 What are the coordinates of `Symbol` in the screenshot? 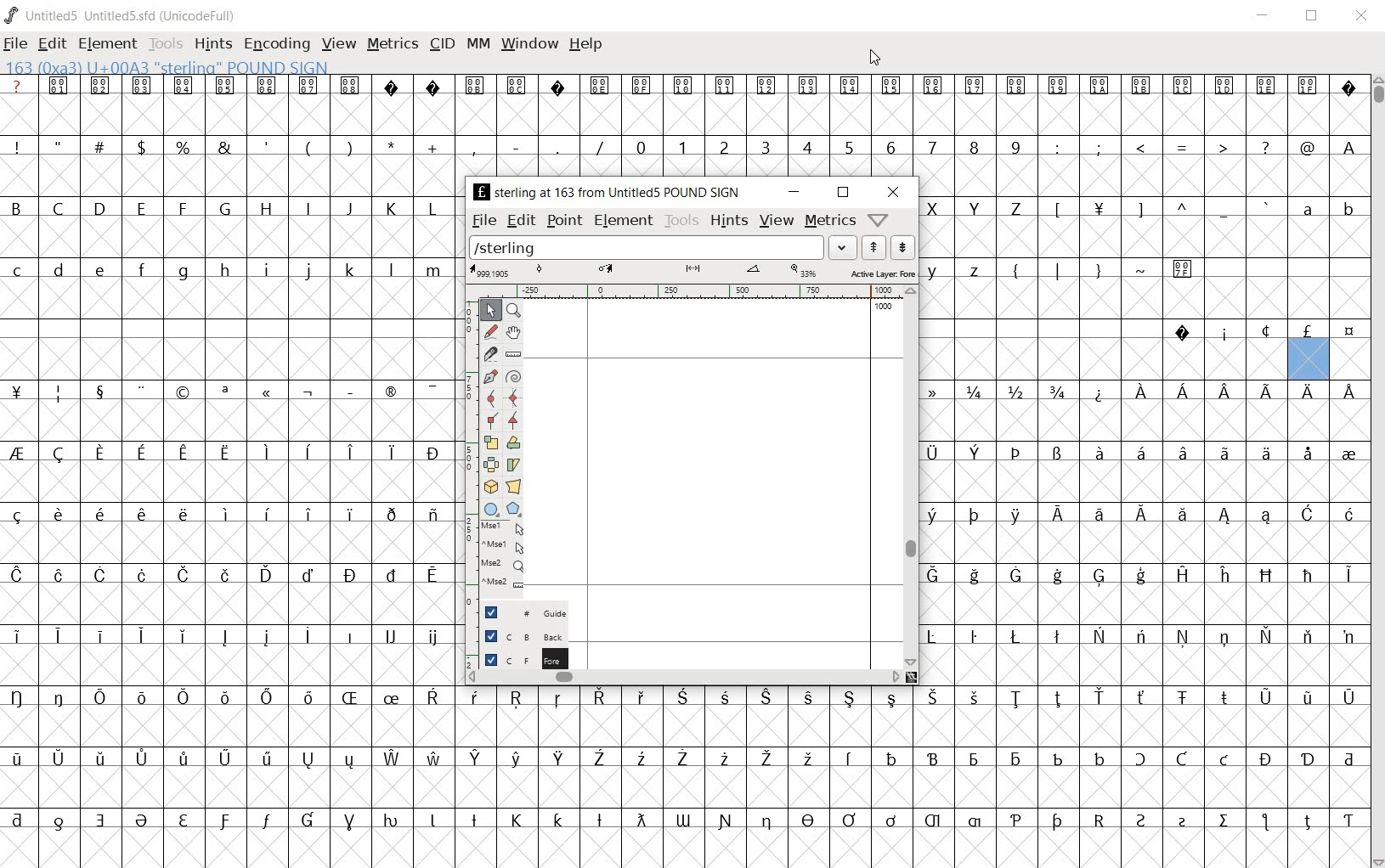 It's located at (935, 822).